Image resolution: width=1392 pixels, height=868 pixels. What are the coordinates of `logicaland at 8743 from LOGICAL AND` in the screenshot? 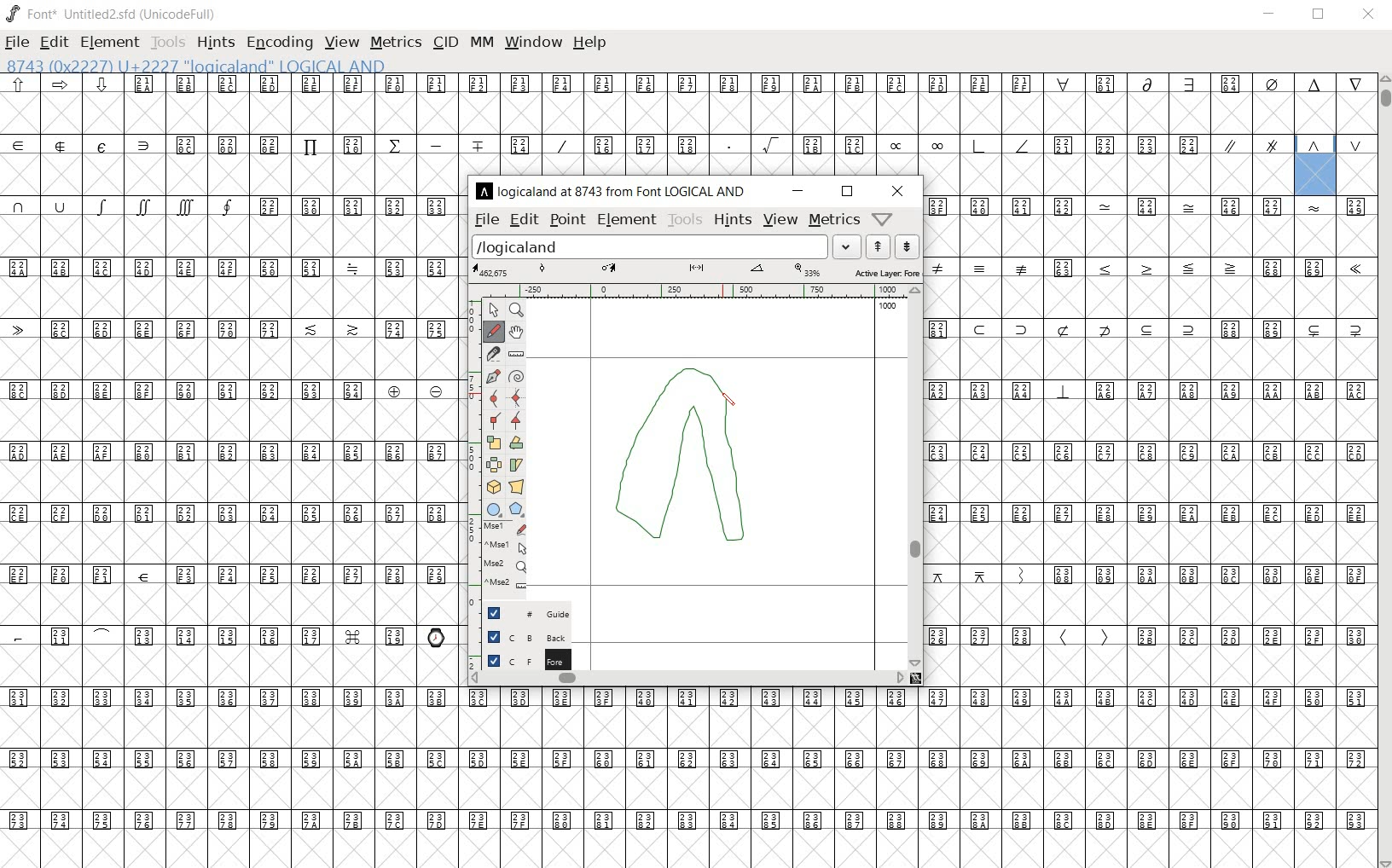 It's located at (615, 190).